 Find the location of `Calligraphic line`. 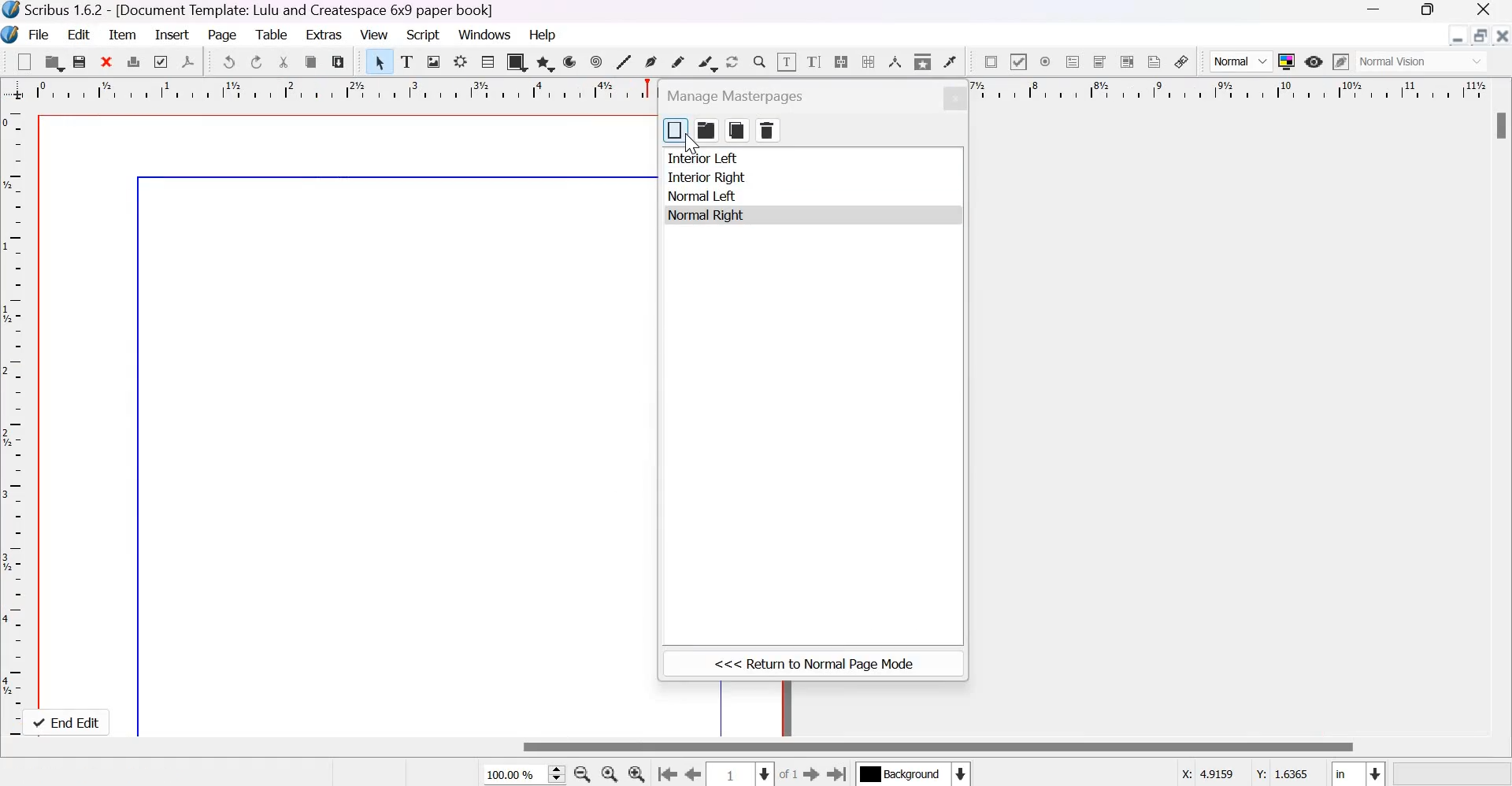

Calligraphic line is located at coordinates (707, 62).